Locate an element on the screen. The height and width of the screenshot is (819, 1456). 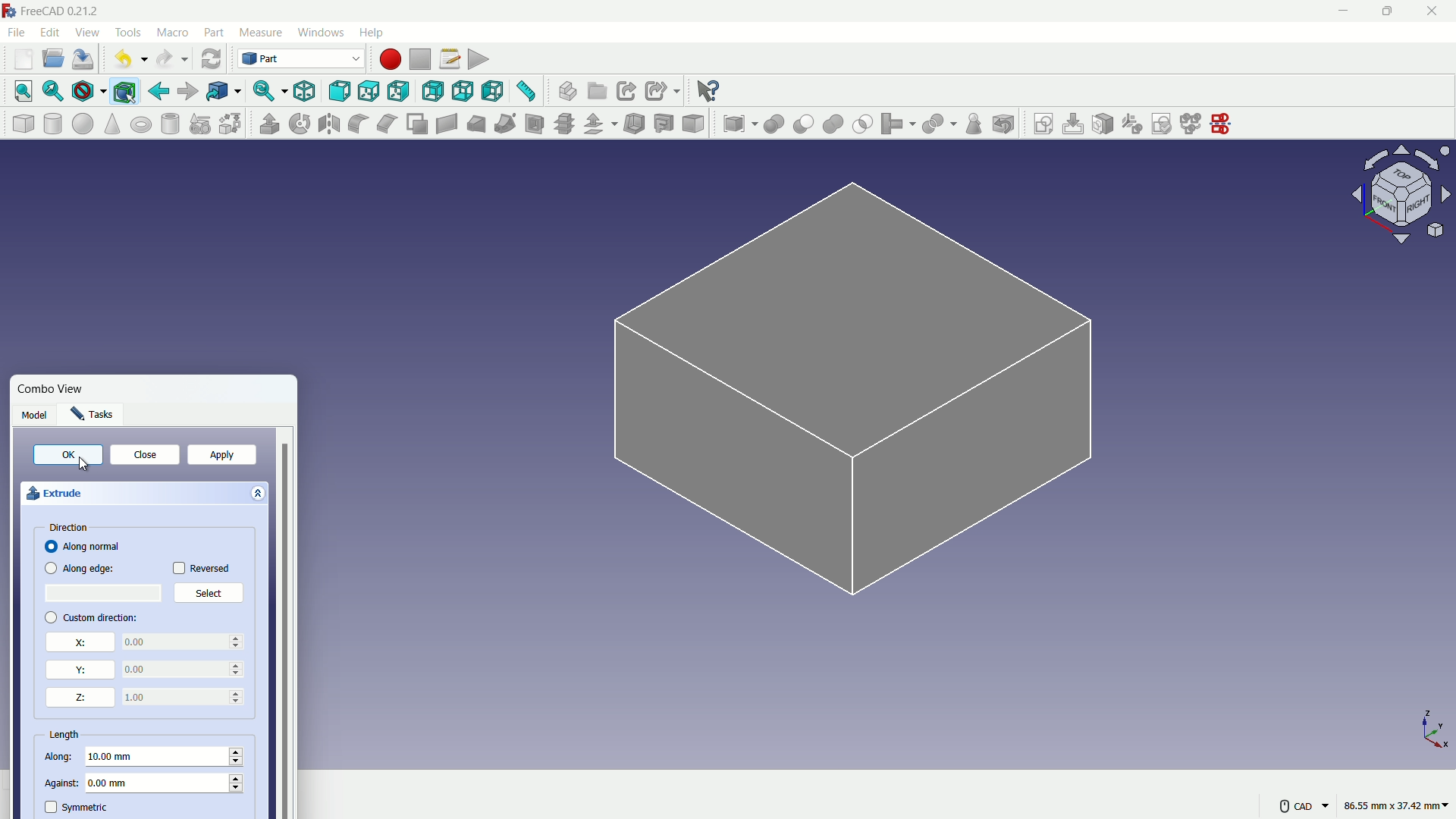
Along edge is located at coordinates (88, 568).